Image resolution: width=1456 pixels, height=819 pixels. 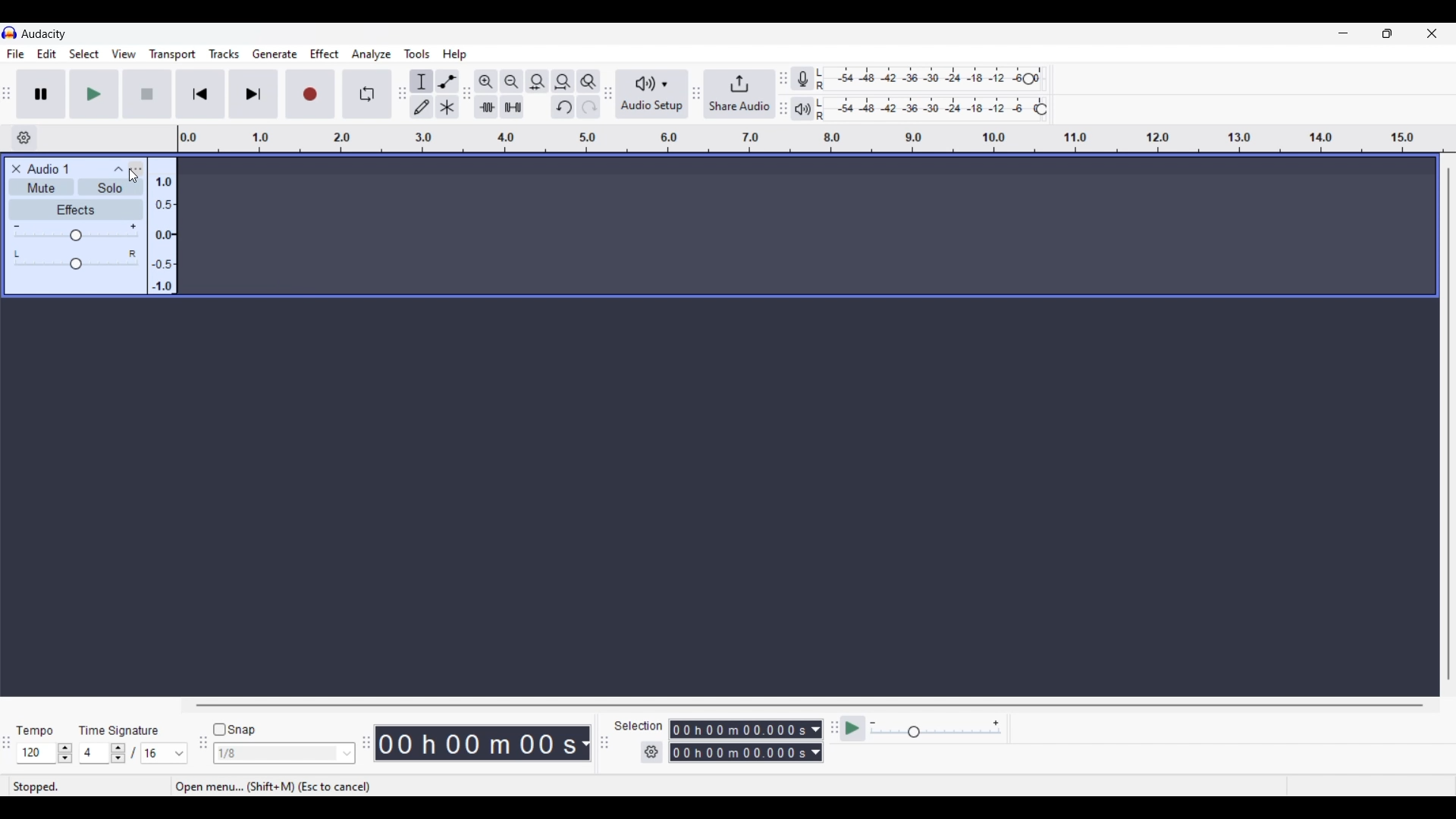 What do you see at coordinates (180, 754) in the screenshot?
I see `Time signature options` at bounding box center [180, 754].